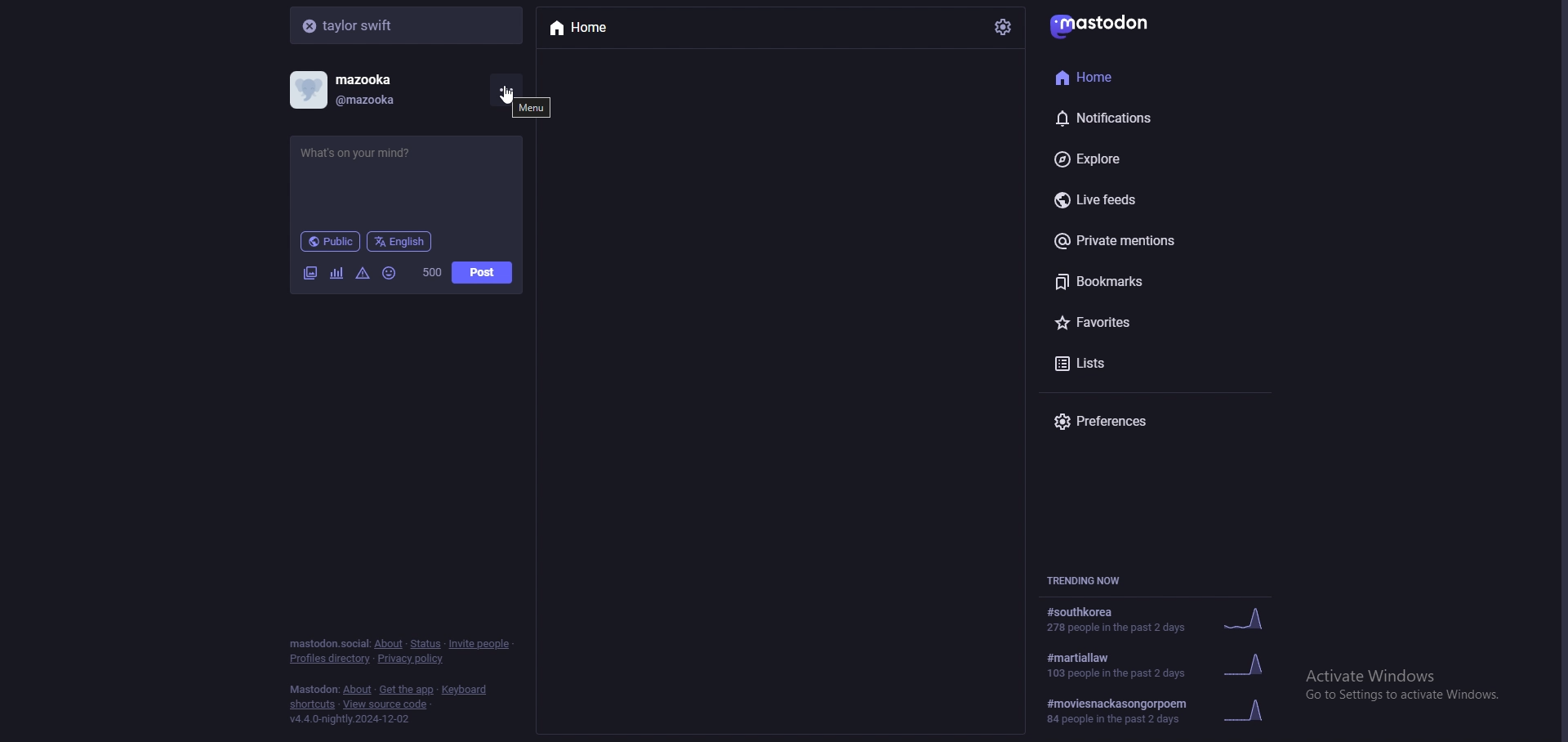 This screenshot has width=1568, height=742. Describe the element at coordinates (386, 704) in the screenshot. I see `view source code` at that location.